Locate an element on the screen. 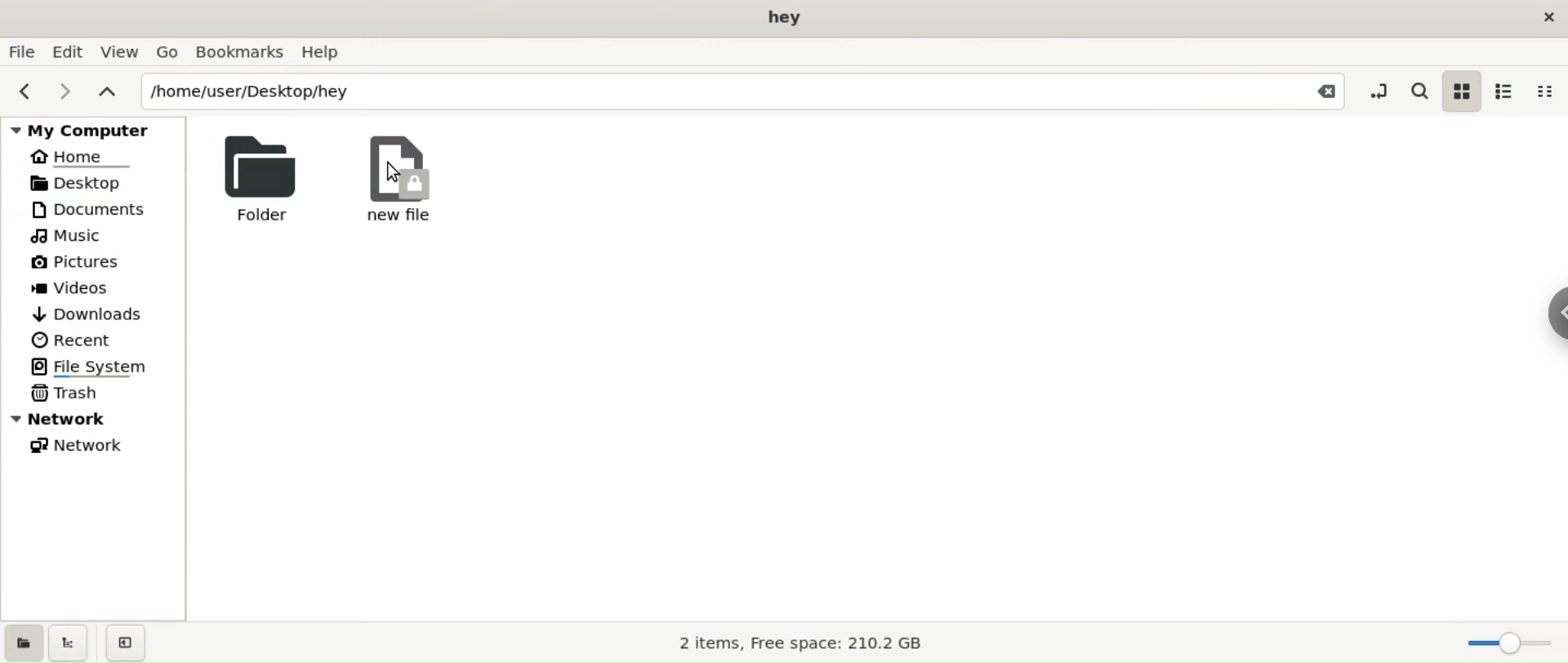  Edit is located at coordinates (69, 51).